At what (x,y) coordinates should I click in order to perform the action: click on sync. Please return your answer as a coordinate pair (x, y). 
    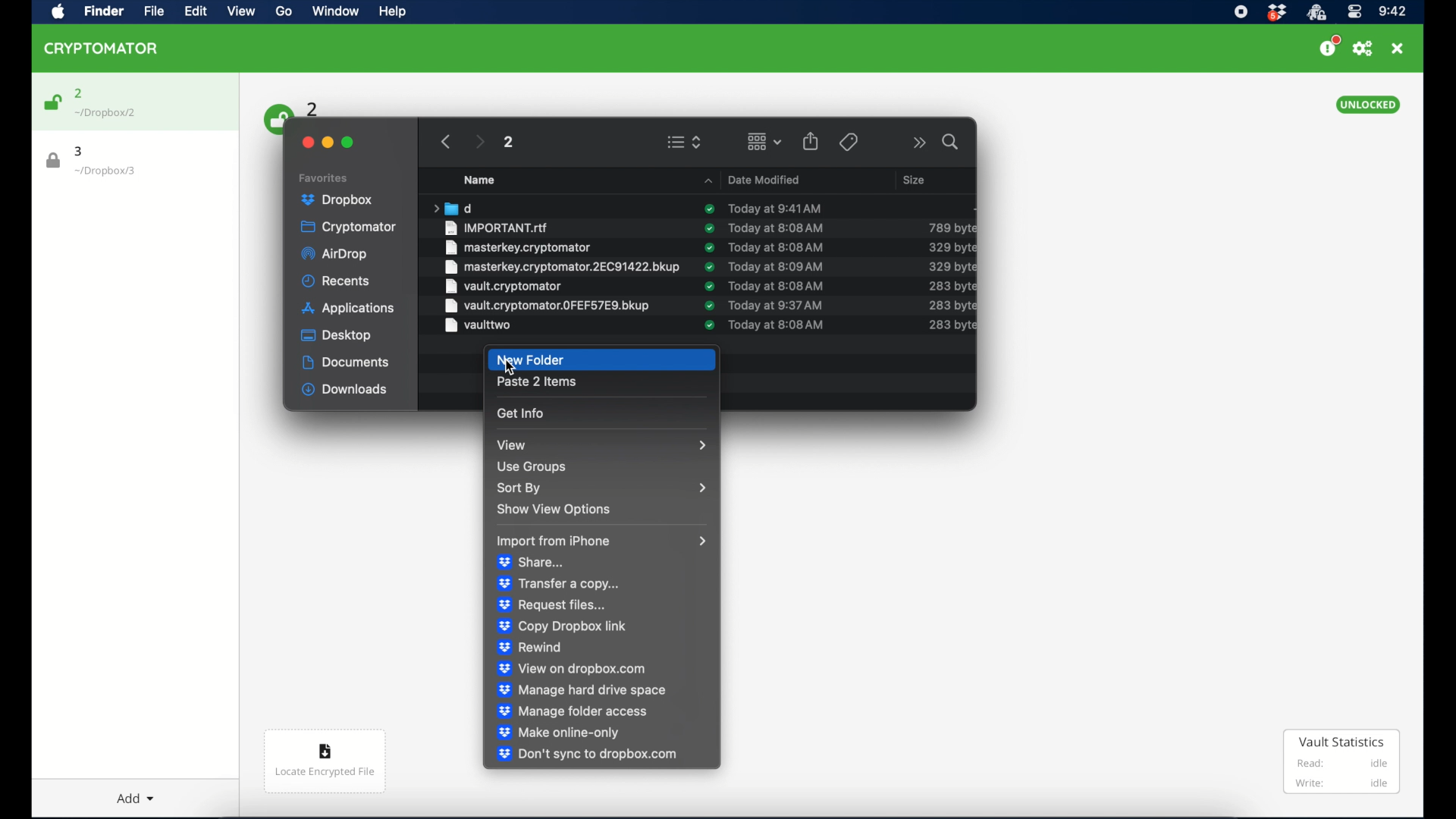
    Looking at the image, I should click on (708, 228).